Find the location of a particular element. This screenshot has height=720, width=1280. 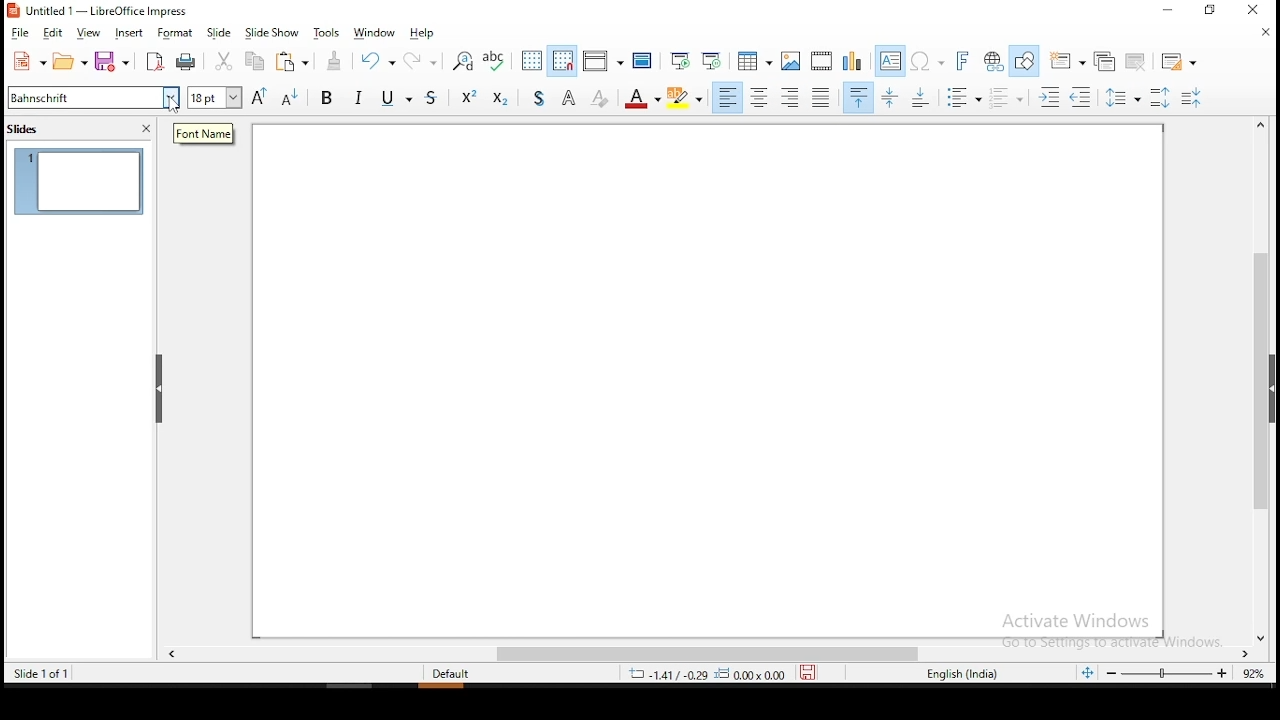

find and replace is located at coordinates (459, 60).